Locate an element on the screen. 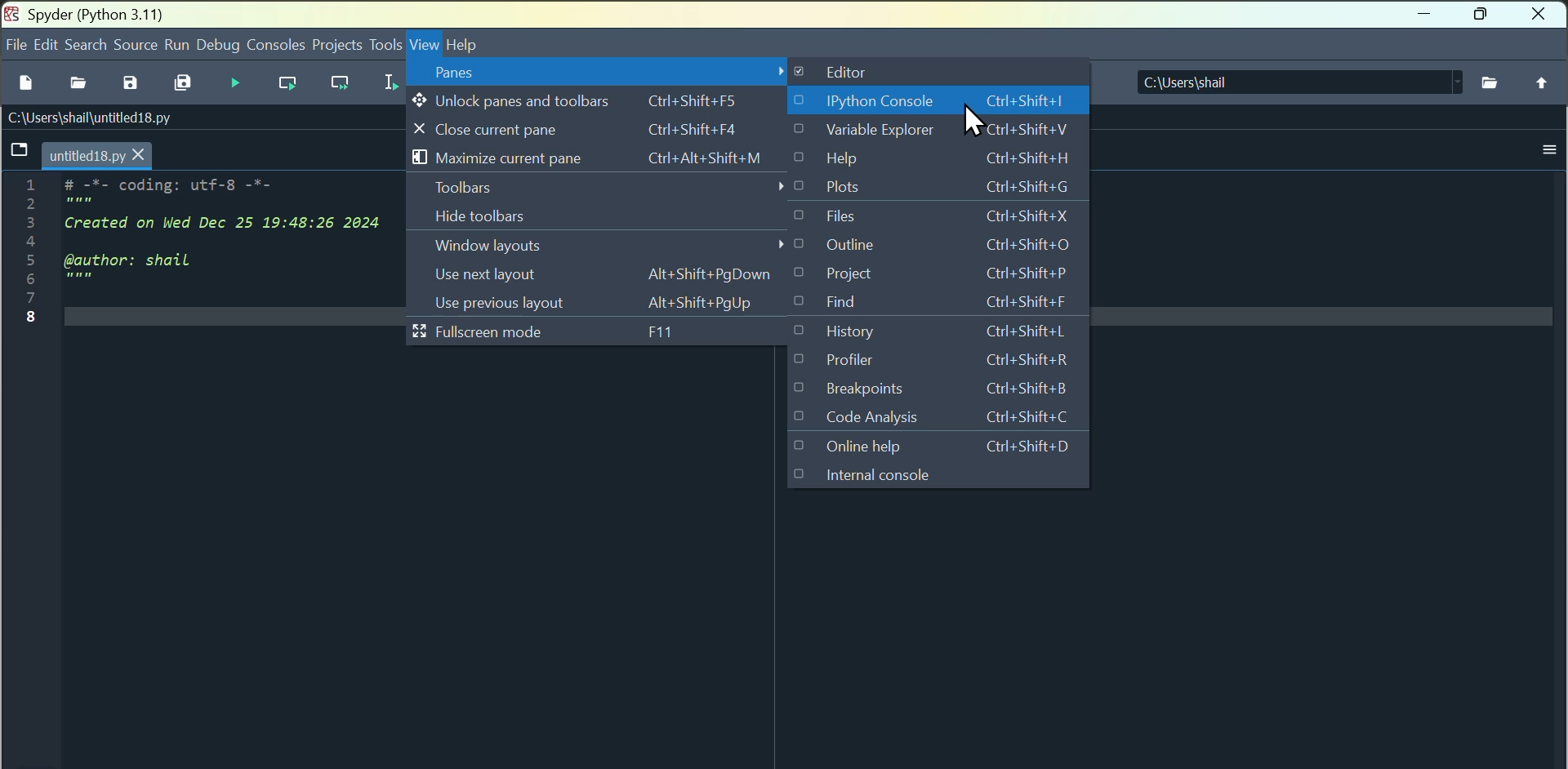  initial code is located at coordinates (194, 253).